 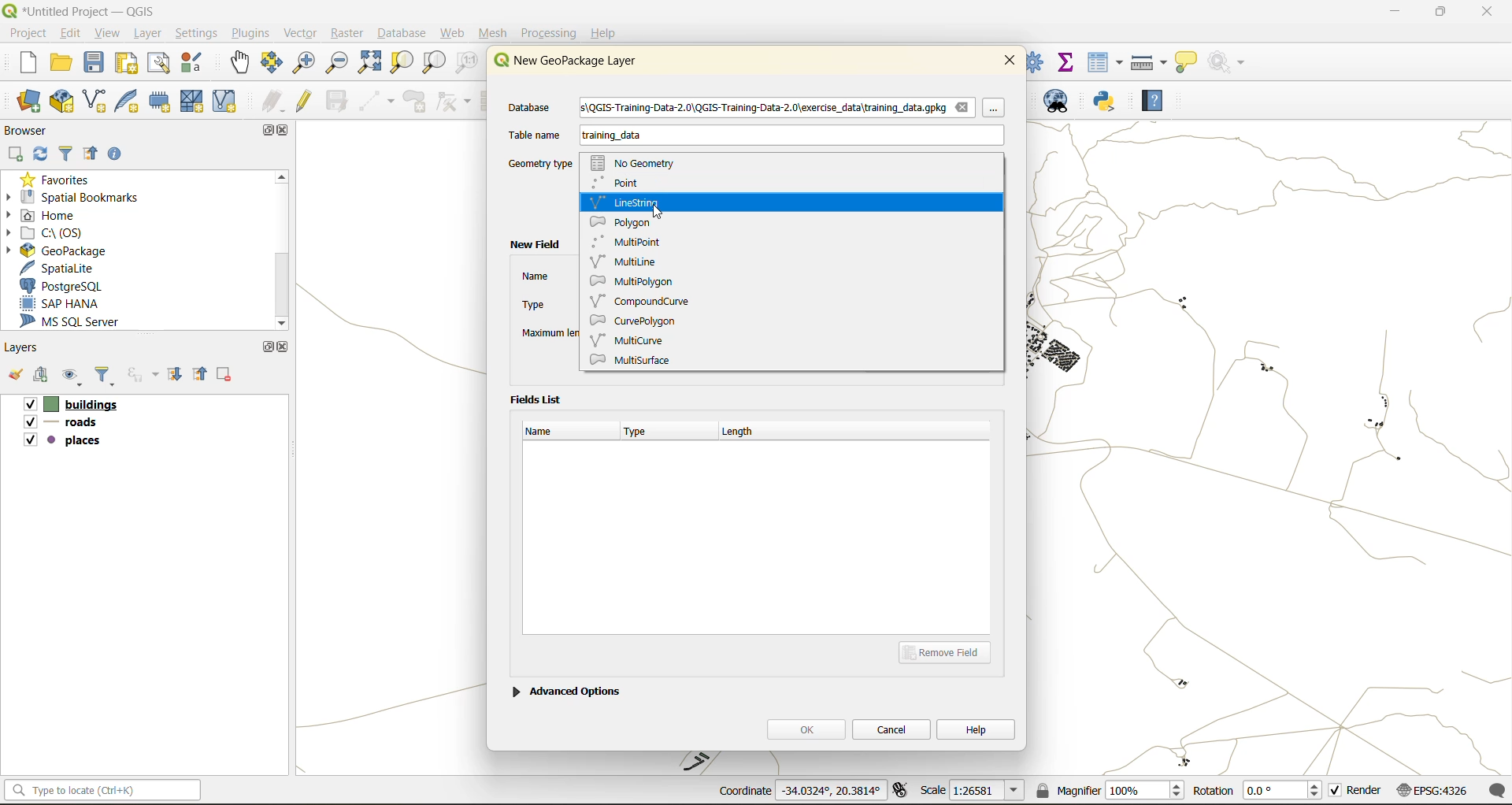 I want to click on roads, so click(x=64, y=425).